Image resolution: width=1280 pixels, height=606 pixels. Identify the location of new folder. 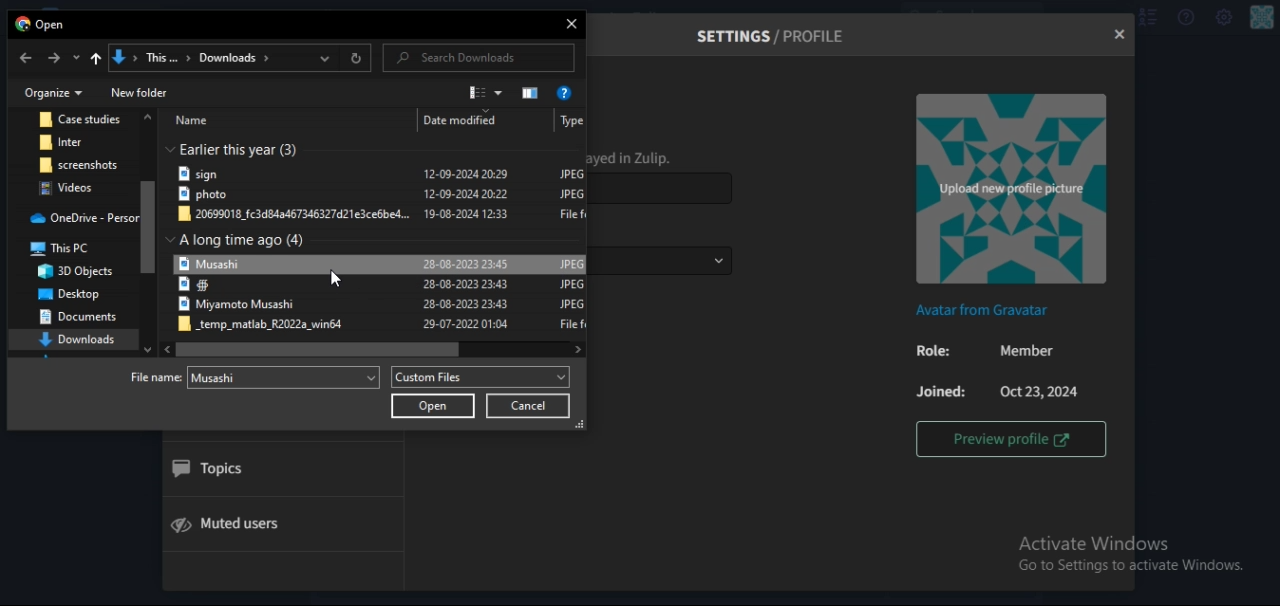
(139, 91).